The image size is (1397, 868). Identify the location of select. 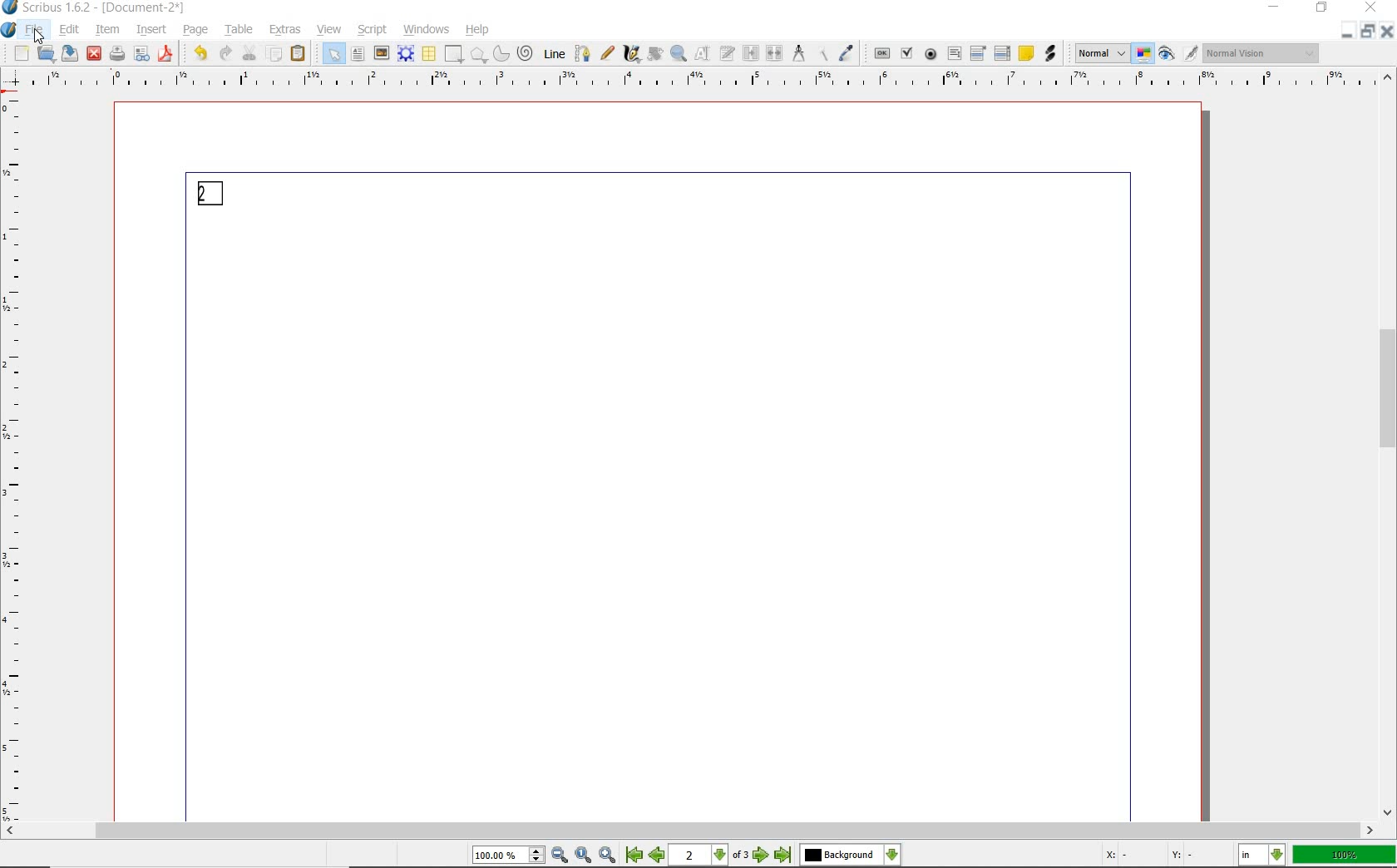
(334, 57).